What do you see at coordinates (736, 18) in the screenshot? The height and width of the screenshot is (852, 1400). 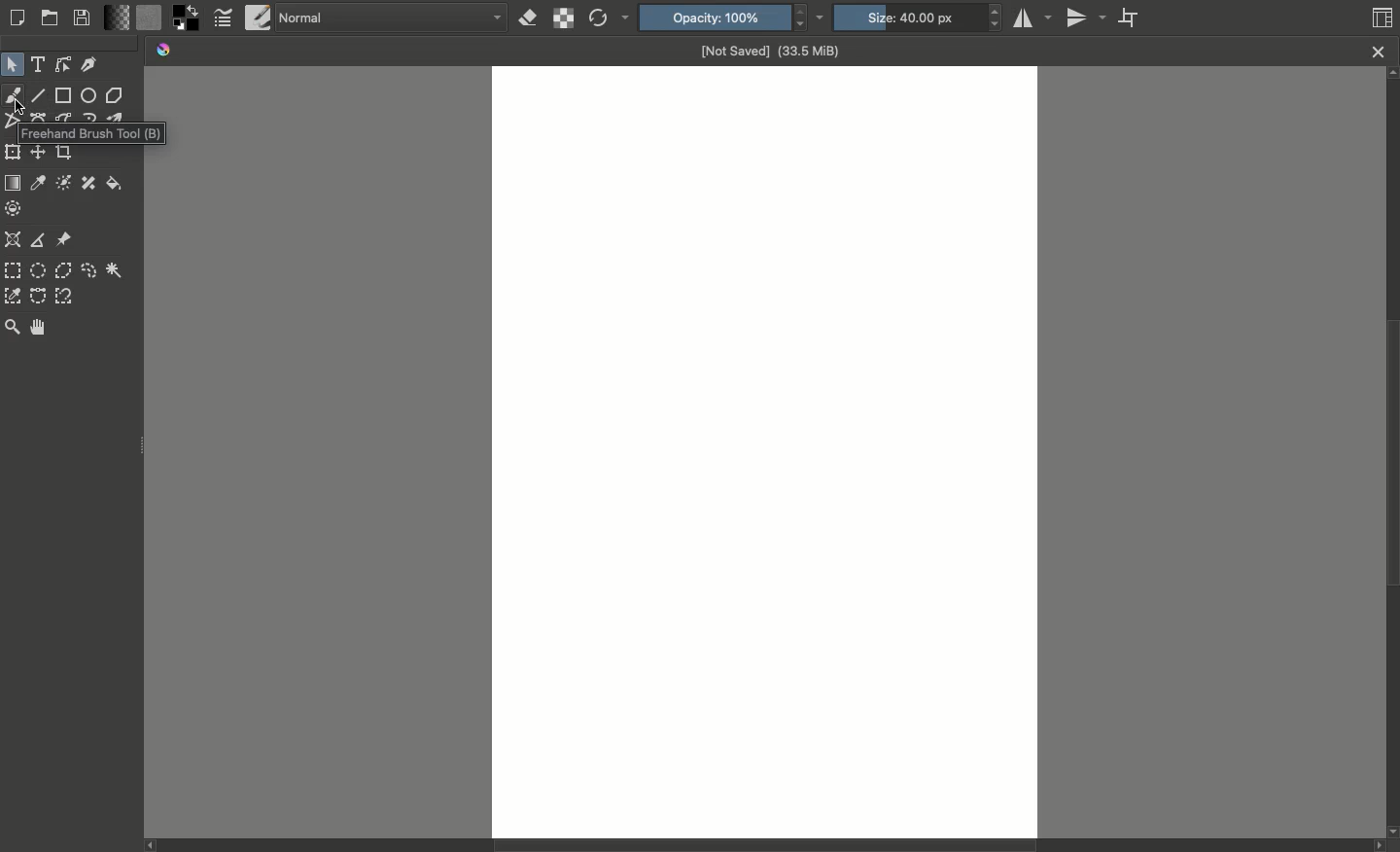 I see `Opacity` at bounding box center [736, 18].